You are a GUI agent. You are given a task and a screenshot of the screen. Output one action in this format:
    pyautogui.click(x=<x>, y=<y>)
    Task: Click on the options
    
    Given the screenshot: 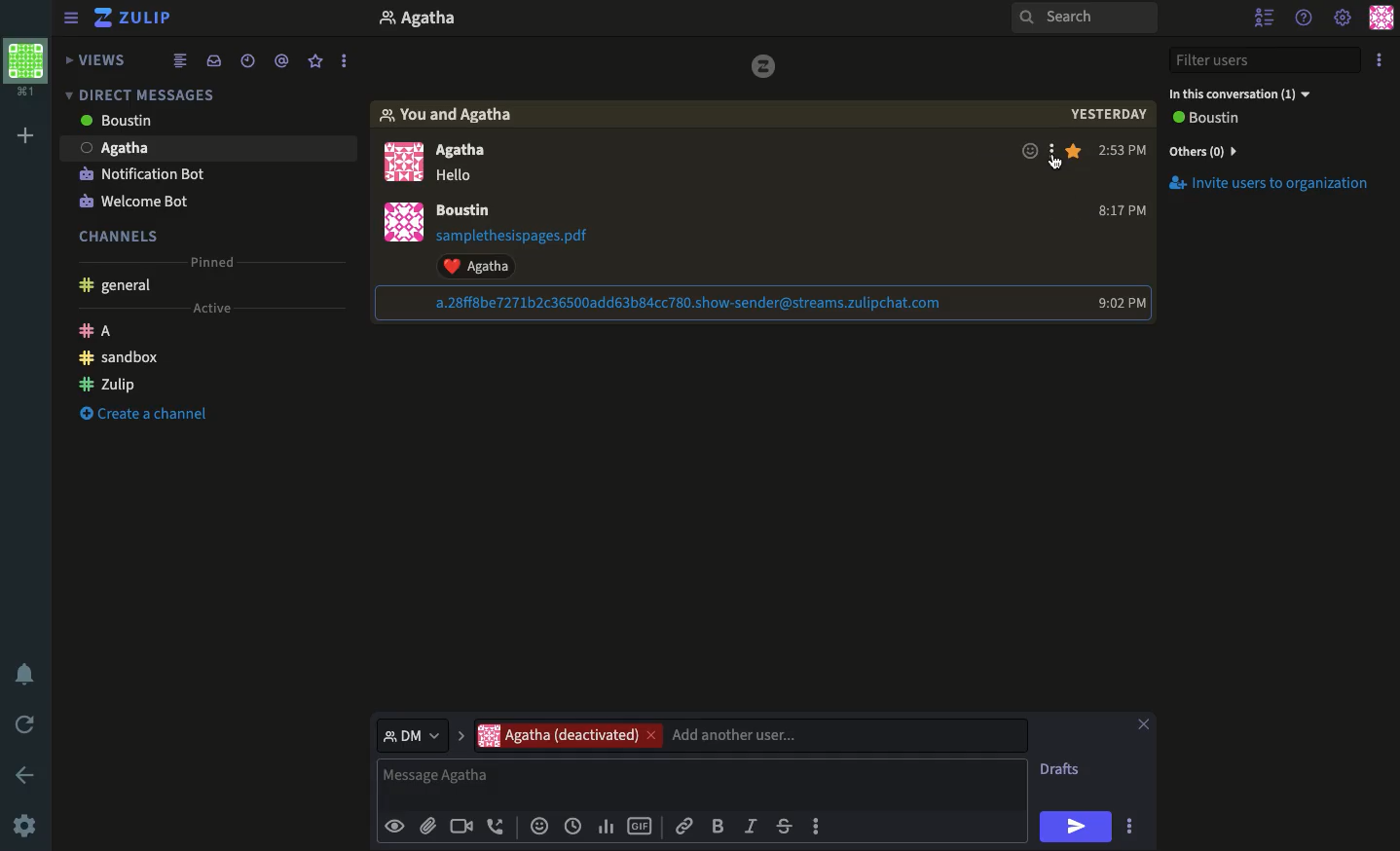 What is the action you would take?
    pyautogui.click(x=818, y=832)
    